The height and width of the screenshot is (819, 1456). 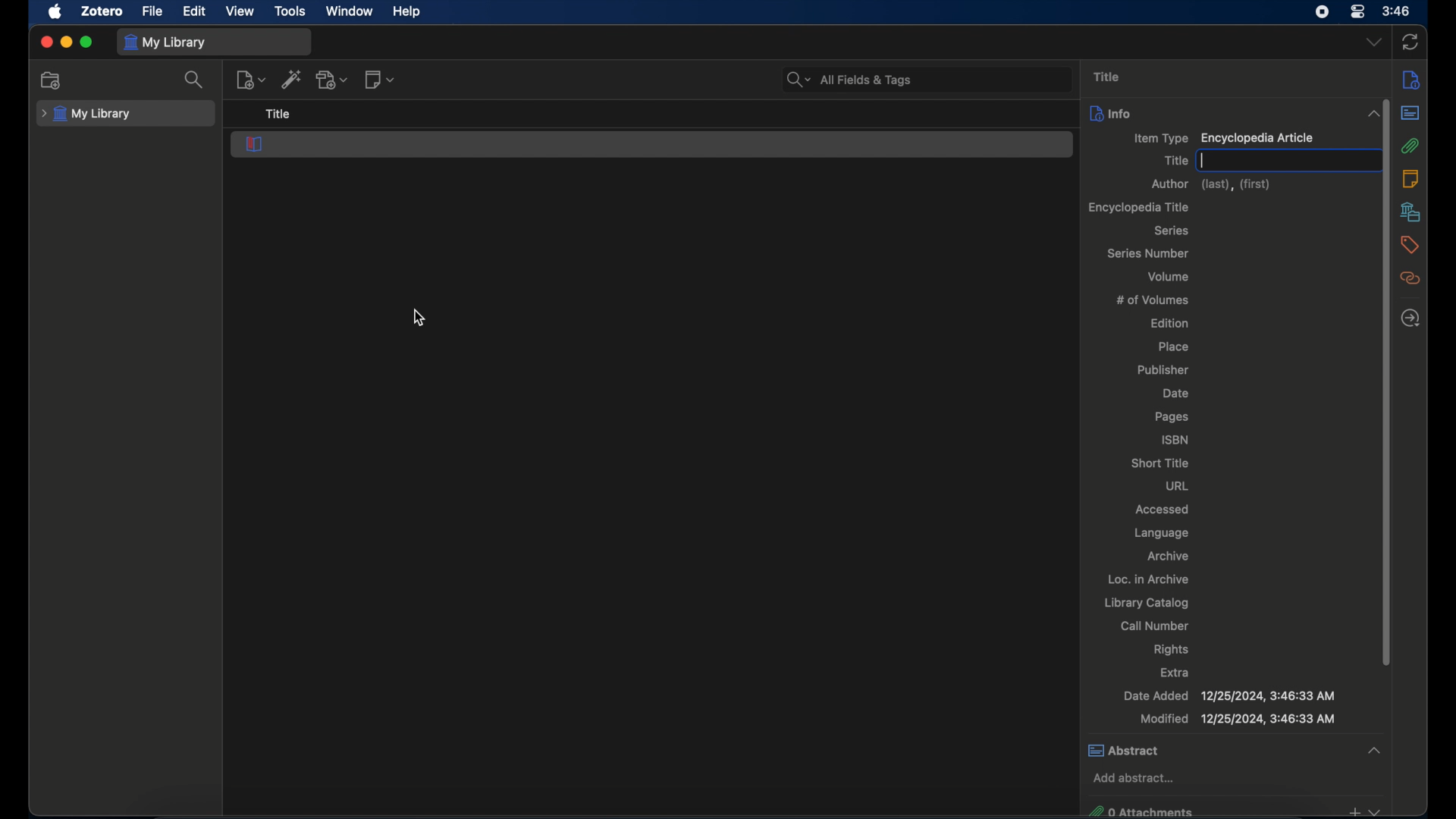 What do you see at coordinates (1153, 299) in the screenshot?
I see `no of volumes` at bounding box center [1153, 299].